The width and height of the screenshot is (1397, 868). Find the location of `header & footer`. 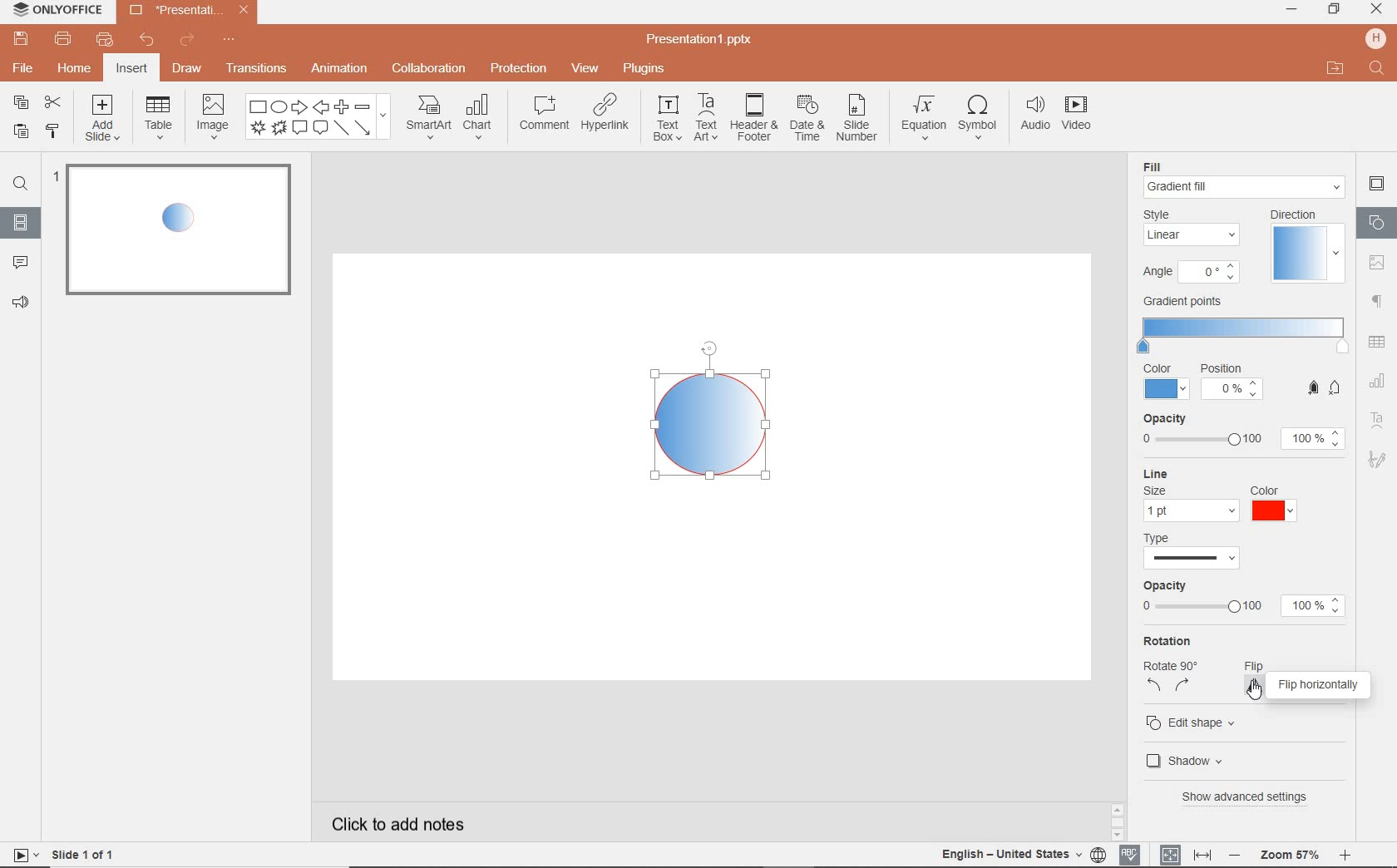

header & footer is located at coordinates (754, 120).